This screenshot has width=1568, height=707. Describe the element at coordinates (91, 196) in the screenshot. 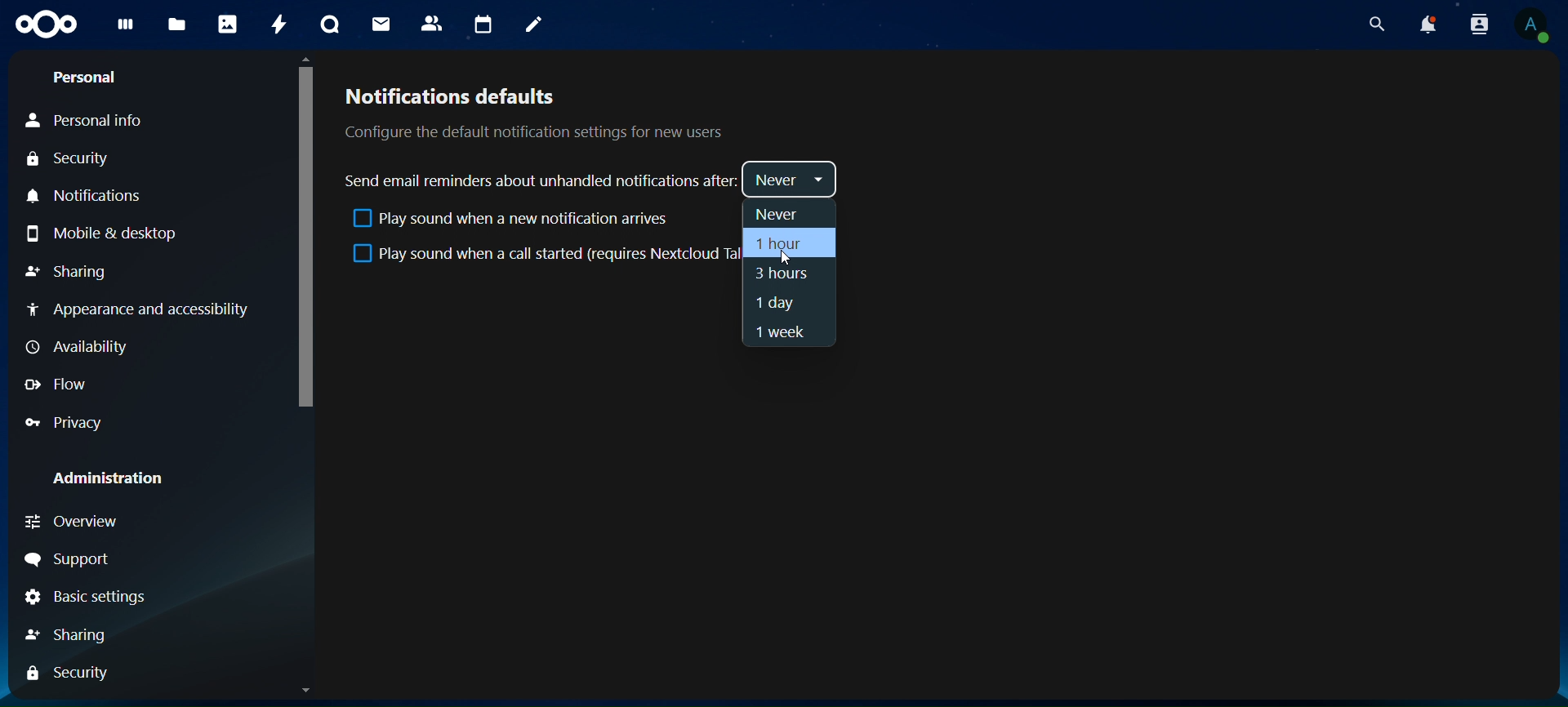

I see `Notifications` at that location.